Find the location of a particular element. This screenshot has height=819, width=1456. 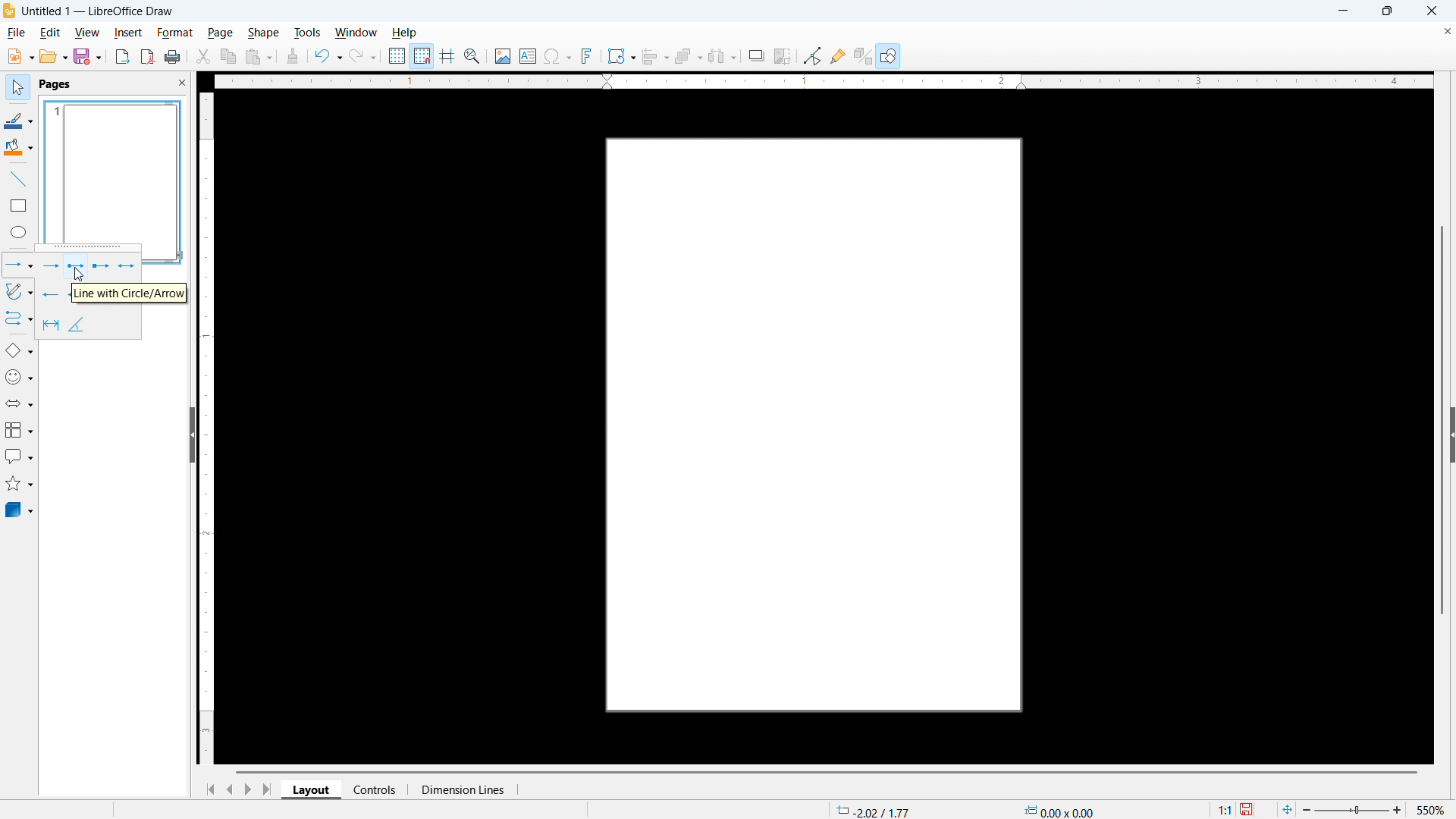

Expand panel  is located at coordinates (1451, 435).